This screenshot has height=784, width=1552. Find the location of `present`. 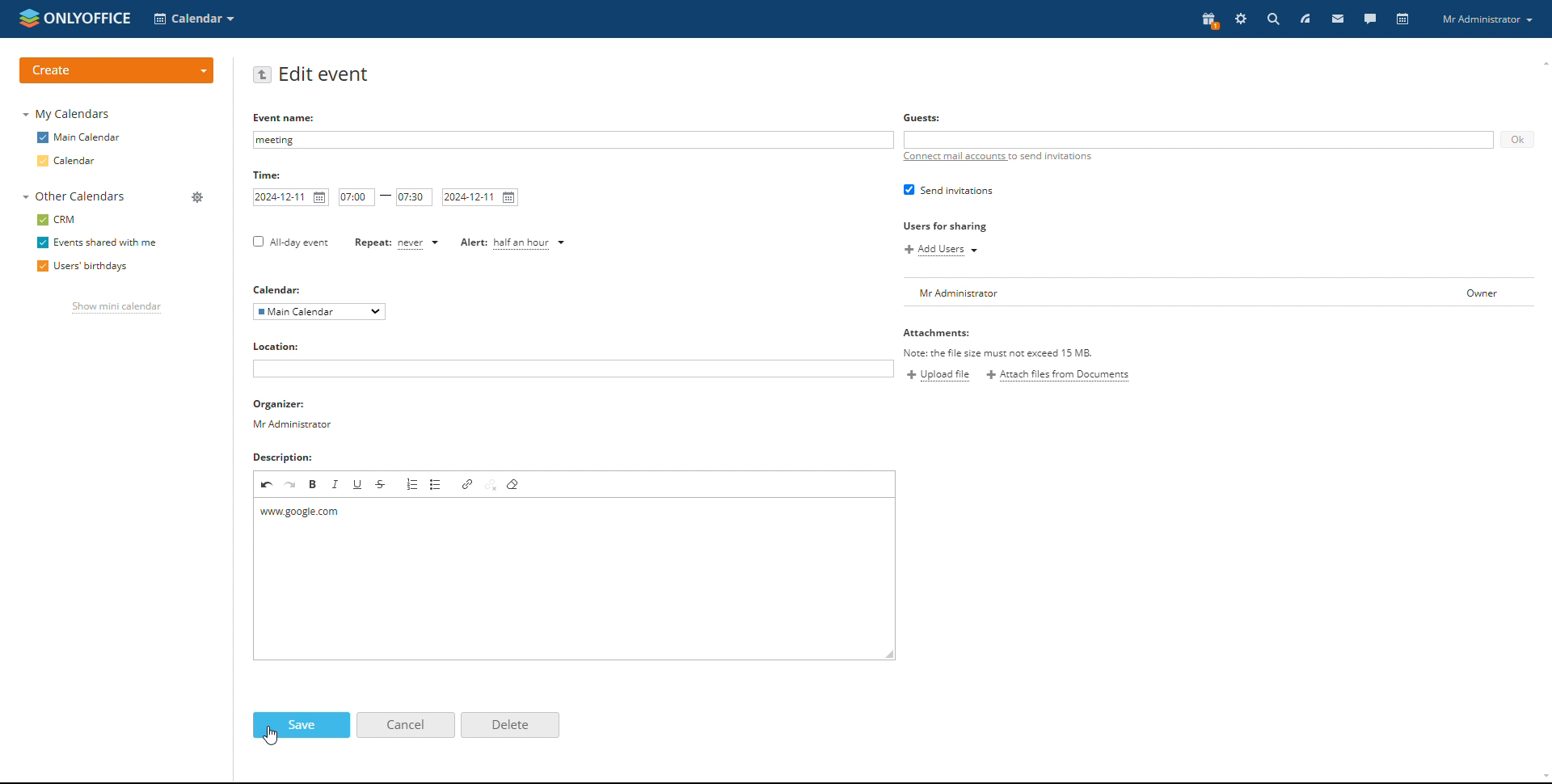

present is located at coordinates (1209, 19).